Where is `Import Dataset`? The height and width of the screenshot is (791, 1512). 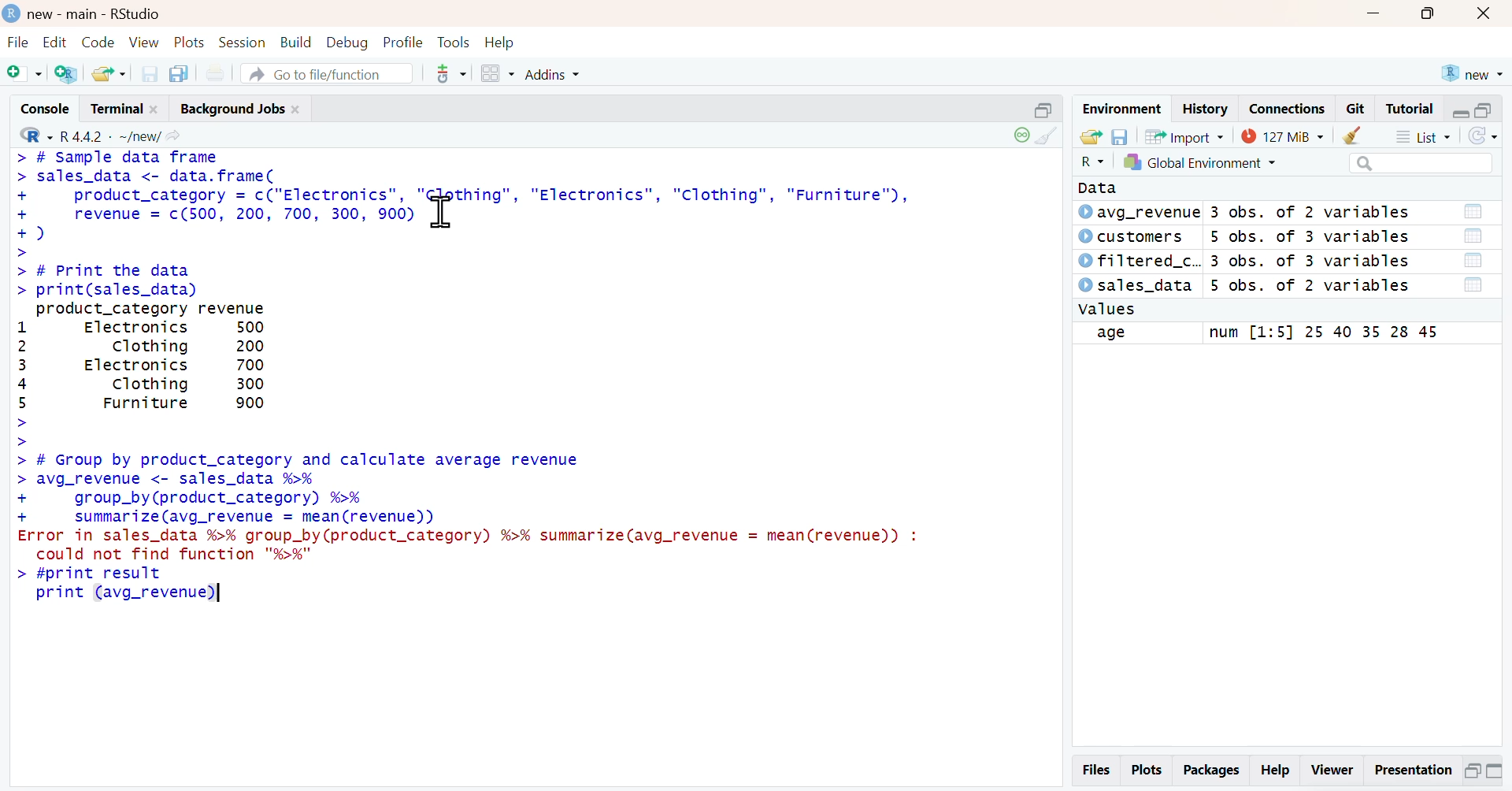 Import Dataset is located at coordinates (1186, 137).